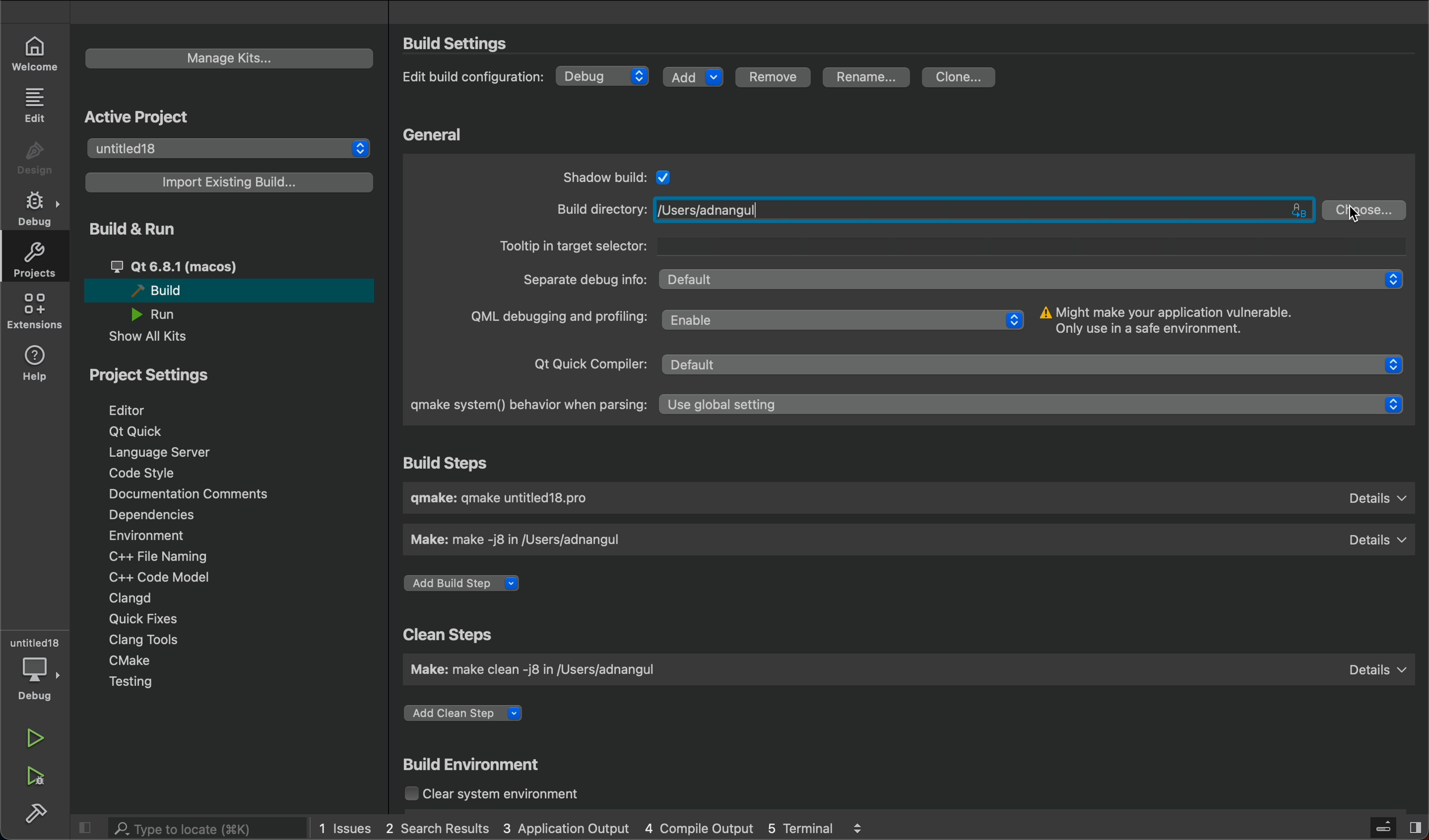  What do you see at coordinates (147, 639) in the screenshot?
I see `clang tools` at bounding box center [147, 639].